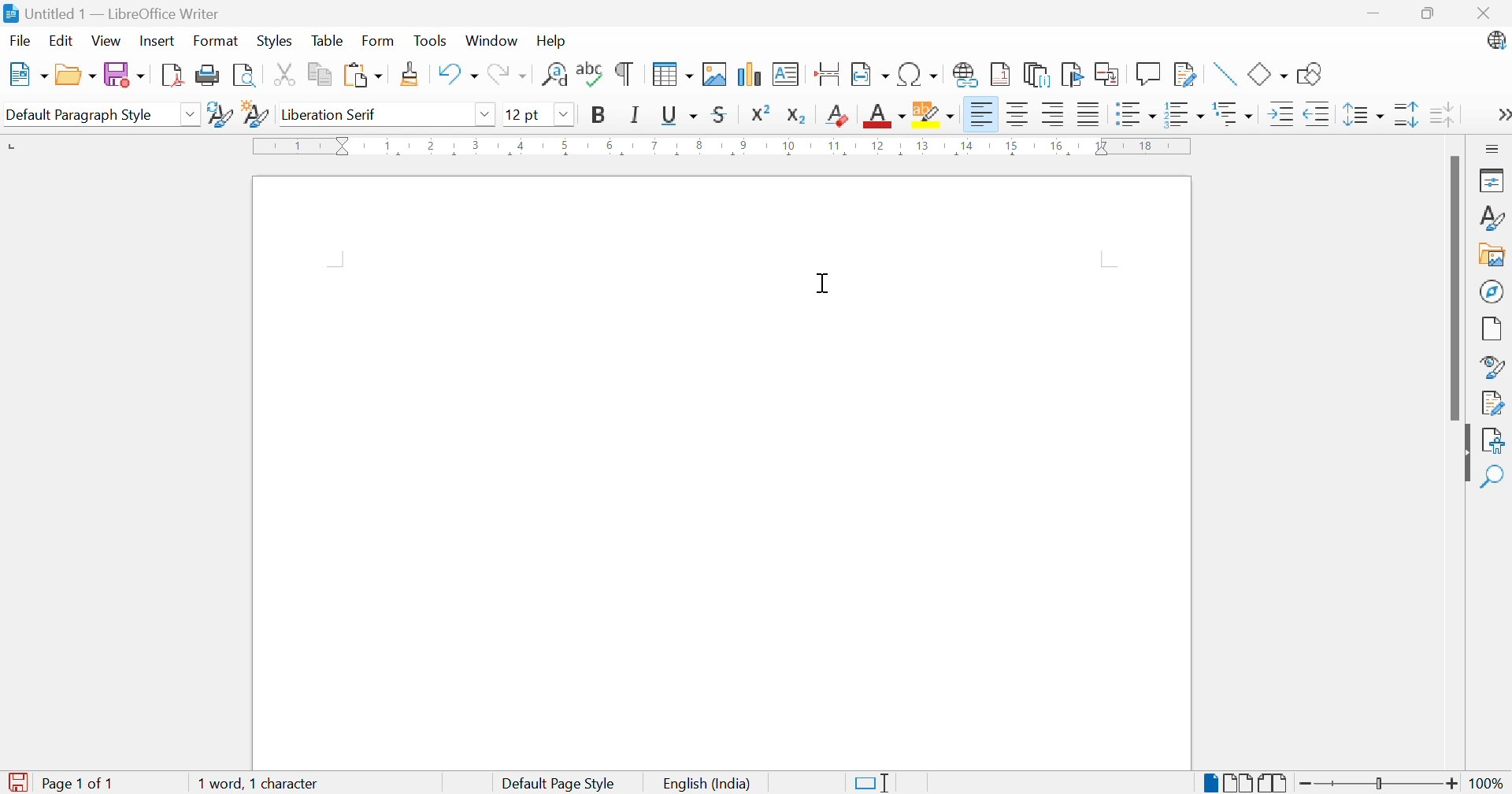  I want to click on 12 pt, so click(521, 113).